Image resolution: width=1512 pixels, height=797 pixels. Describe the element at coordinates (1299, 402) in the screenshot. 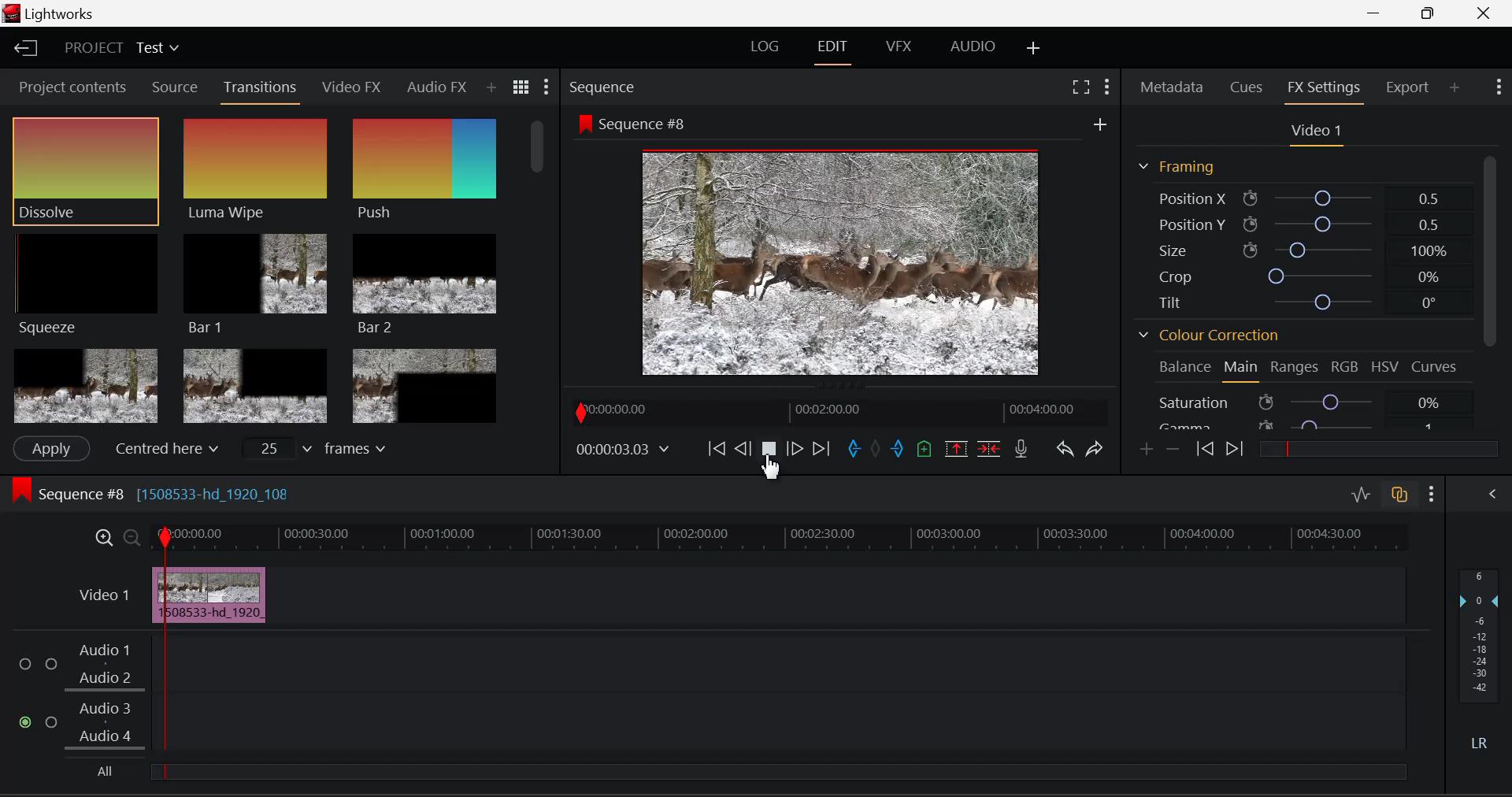

I see `Saturation` at that location.